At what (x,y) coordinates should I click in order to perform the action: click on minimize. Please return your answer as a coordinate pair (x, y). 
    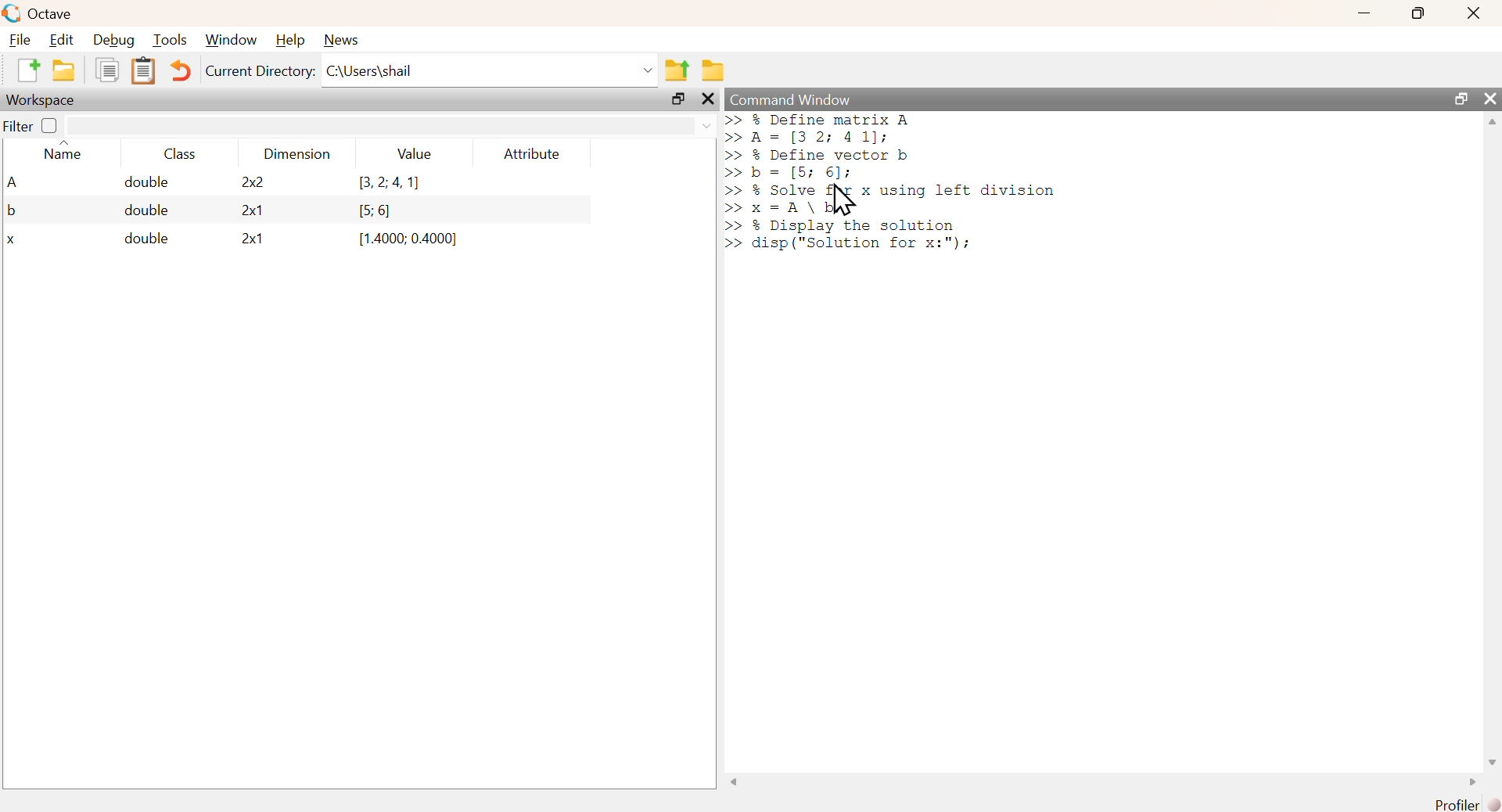
    Looking at the image, I should click on (1362, 15).